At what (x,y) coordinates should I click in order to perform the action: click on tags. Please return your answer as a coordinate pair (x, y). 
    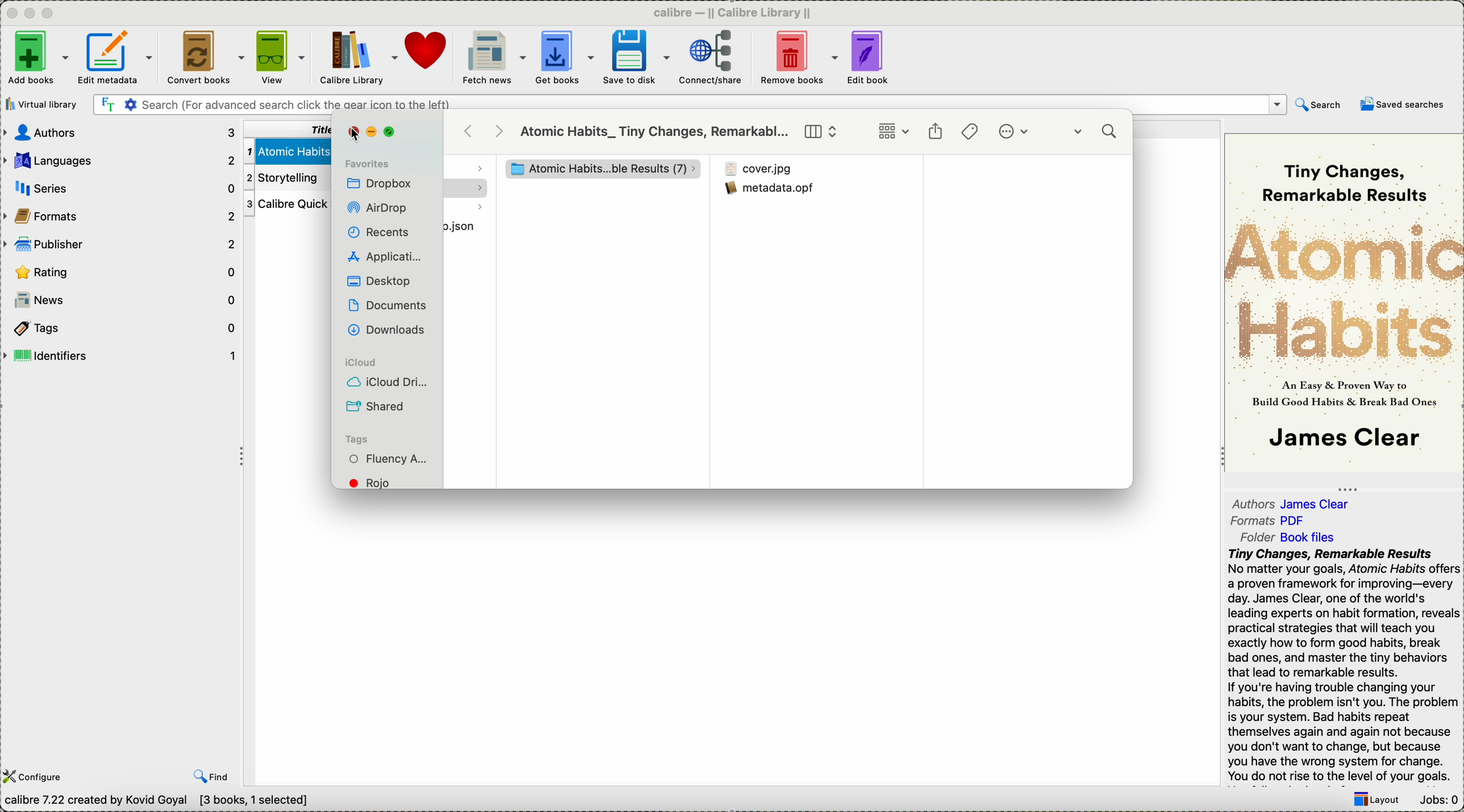
    Looking at the image, I should click on (361, 439).